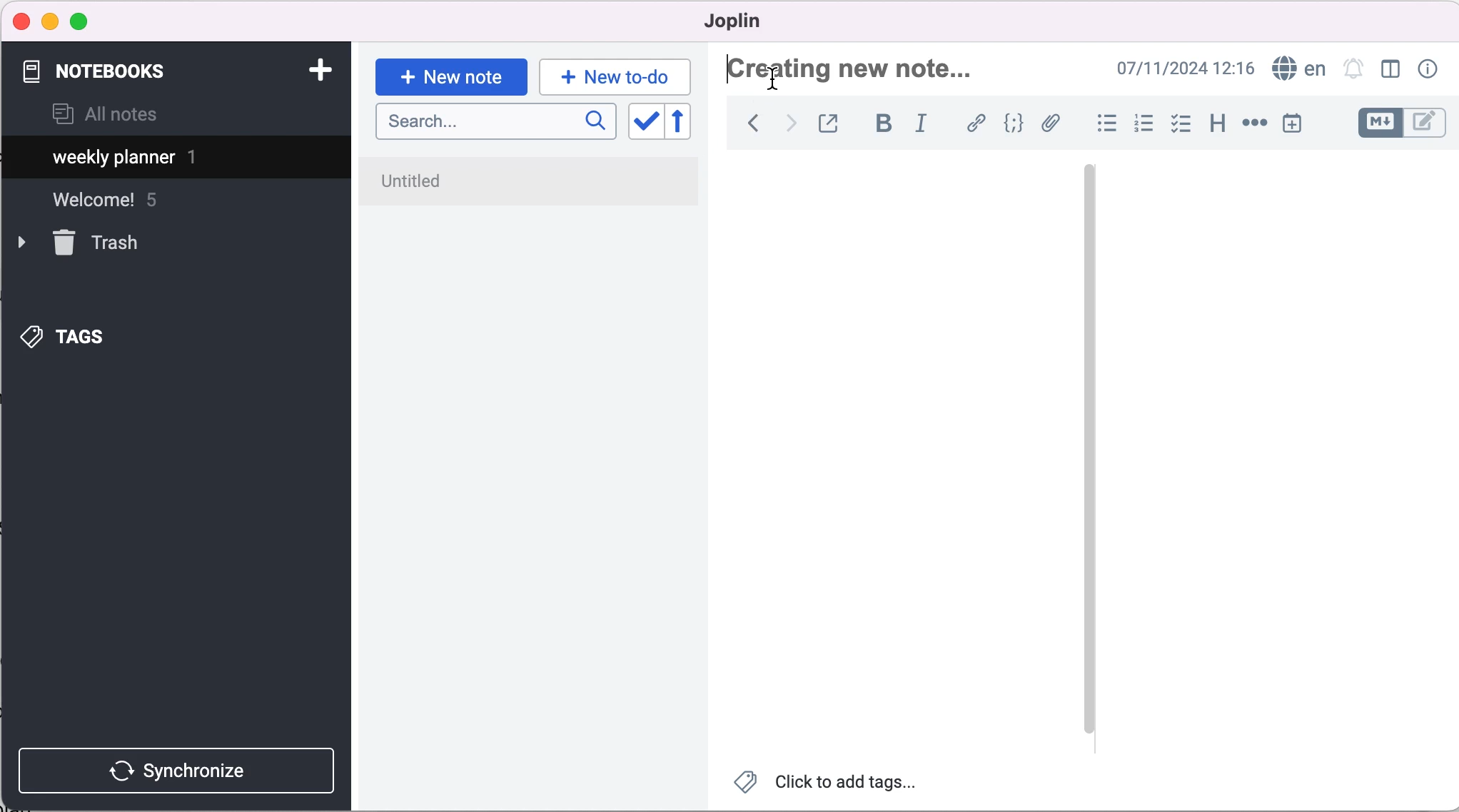 This screenshot has height=812, width=1459. What do you see at coordinates (927, 123) in the screenshot?
I see `italic` at bounding box center [927, 123].